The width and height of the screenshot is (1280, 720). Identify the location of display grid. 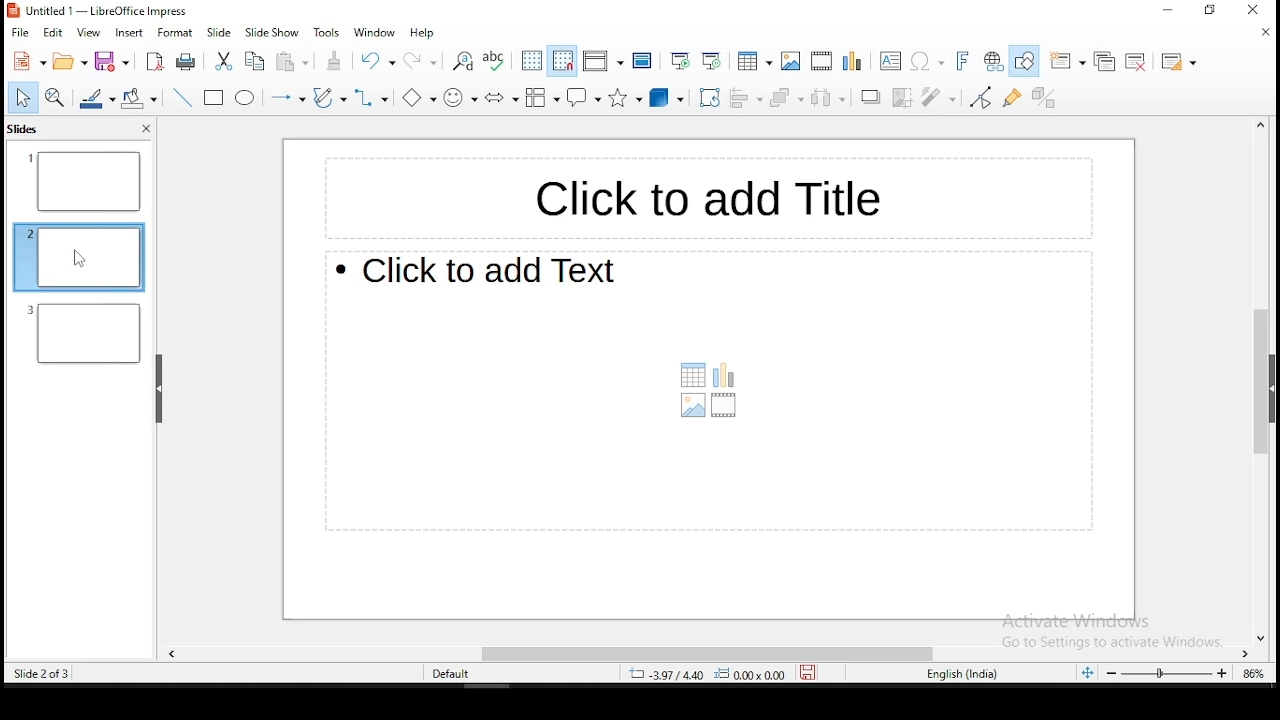
(532, 62).